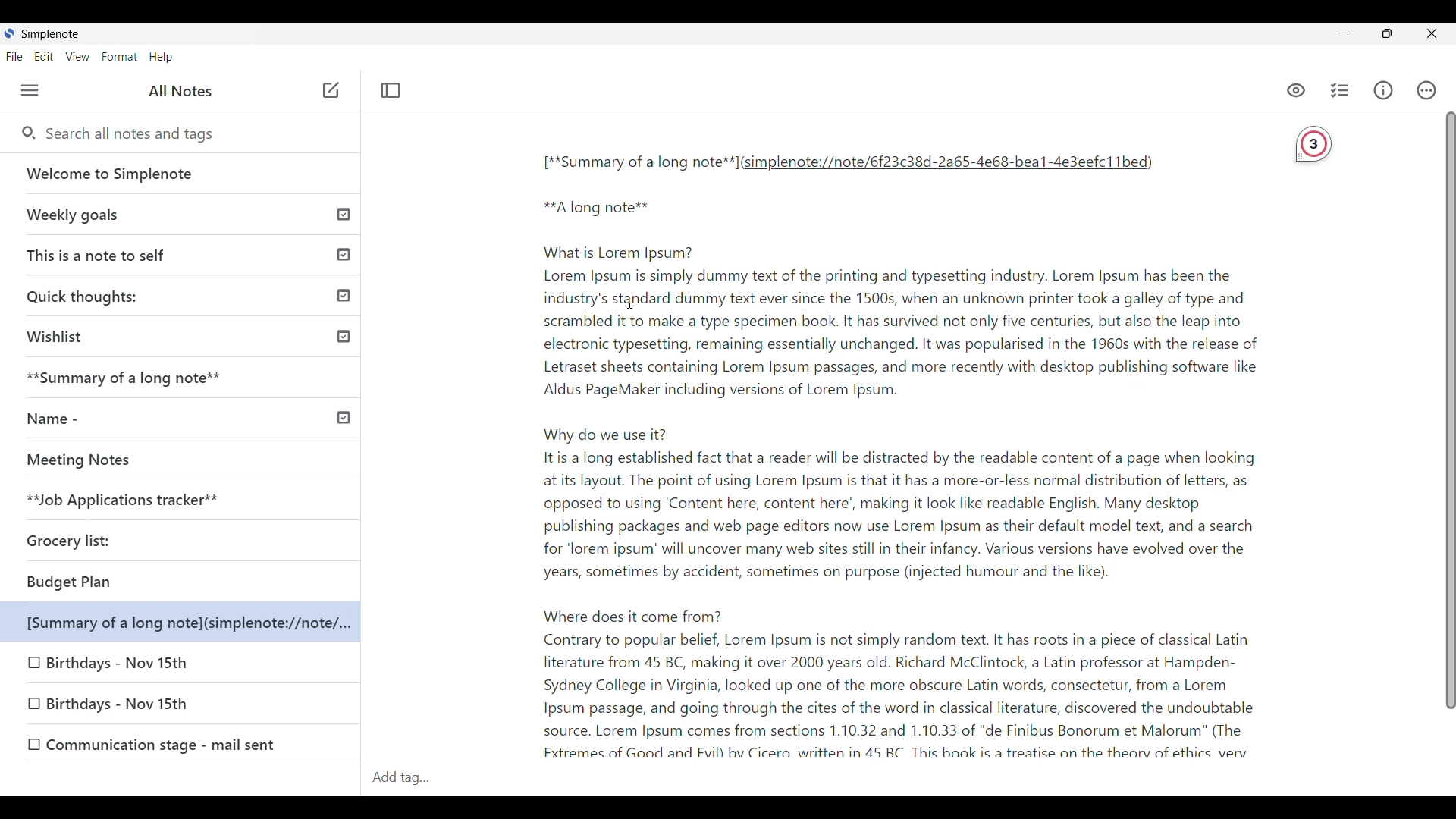 The image size is (1456, 819). What do you see at coordinates (127, 581) in the screenshot?
I see `Budget plan` at bounding box center [127, 581].